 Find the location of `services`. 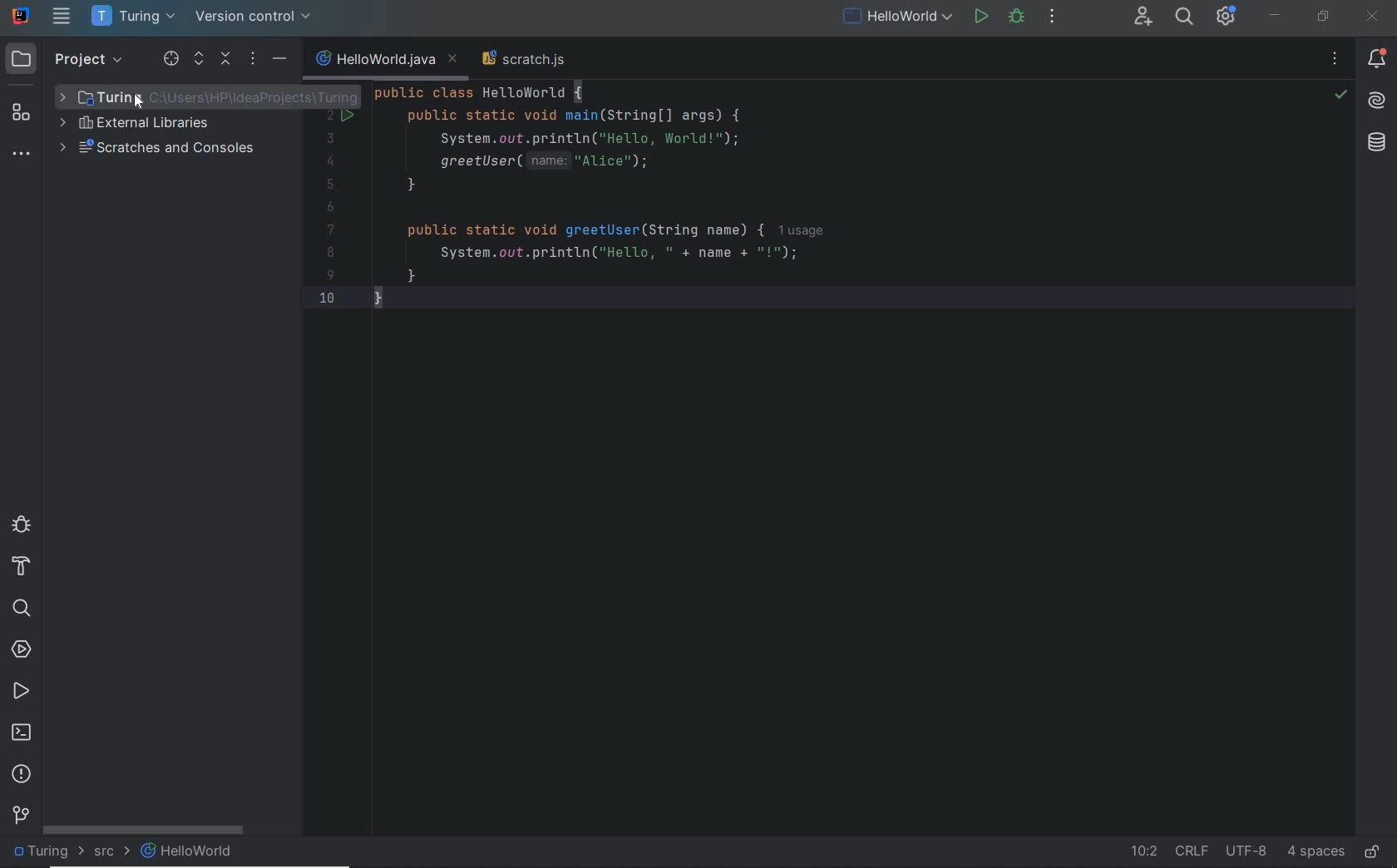

services is located at coordinates (23, 649).